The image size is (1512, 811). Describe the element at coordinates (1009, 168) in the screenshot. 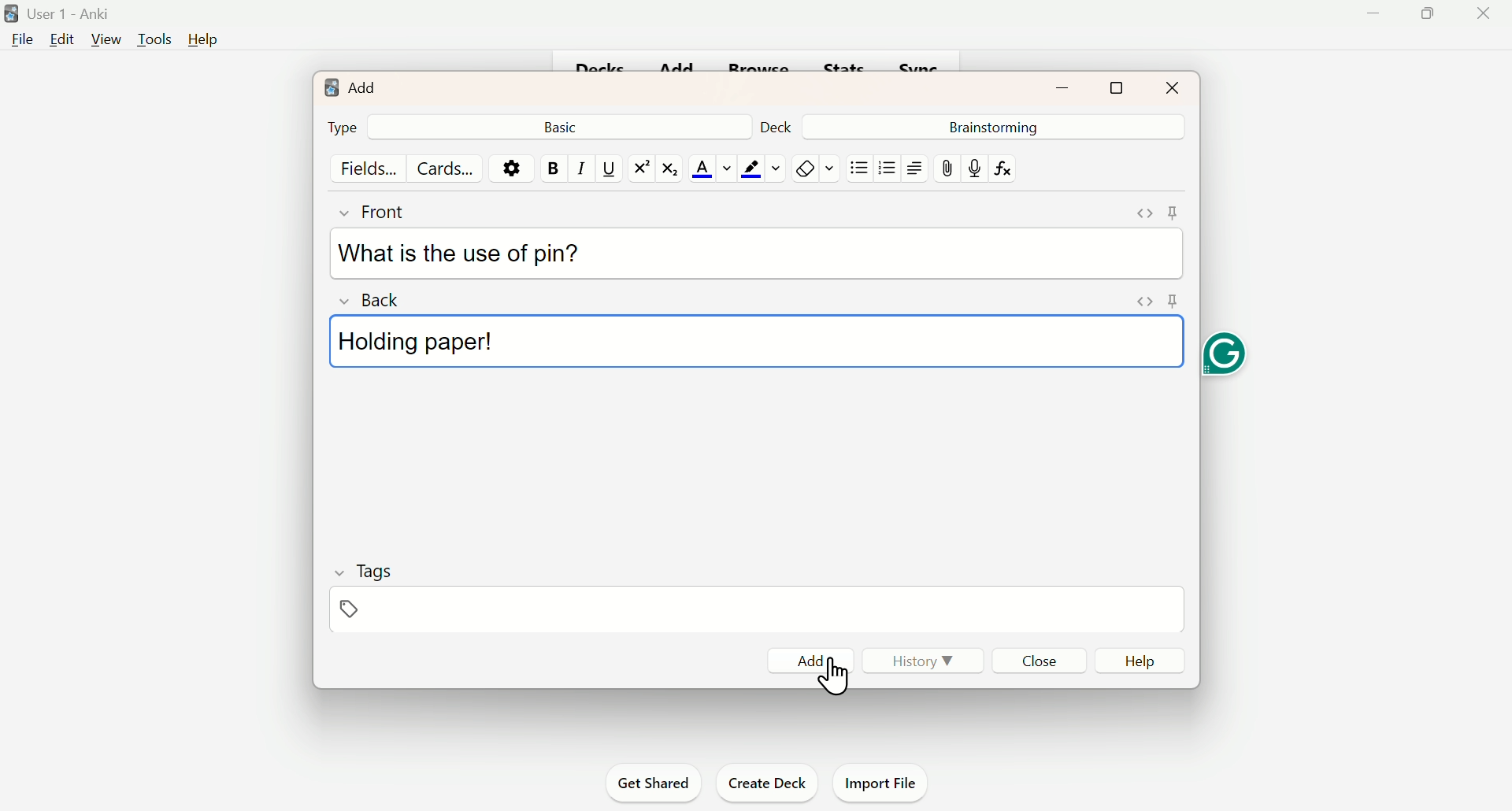

I see `fx` at that location.